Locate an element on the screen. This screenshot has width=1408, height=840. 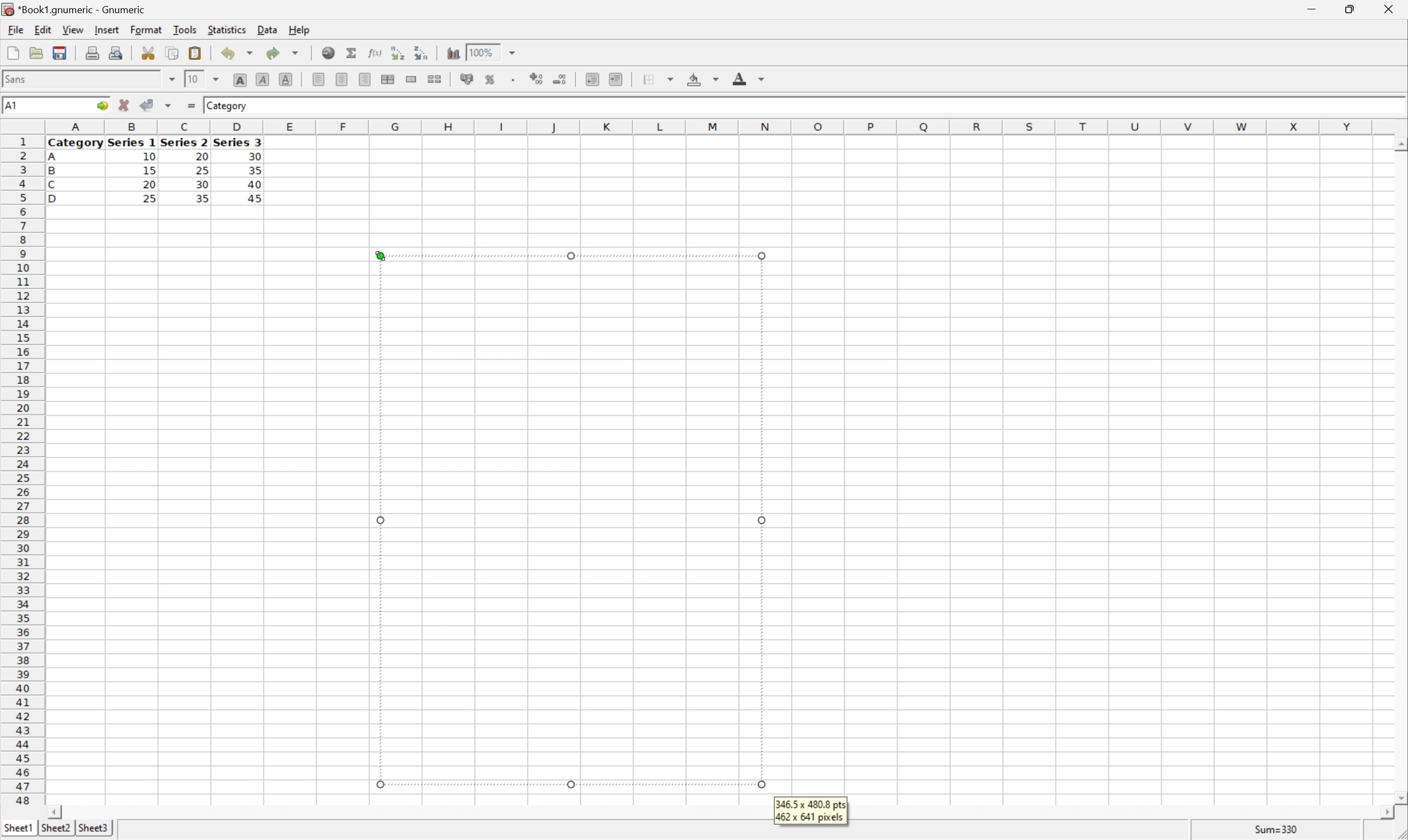
Cut selection is located at coordinates (149, 53).